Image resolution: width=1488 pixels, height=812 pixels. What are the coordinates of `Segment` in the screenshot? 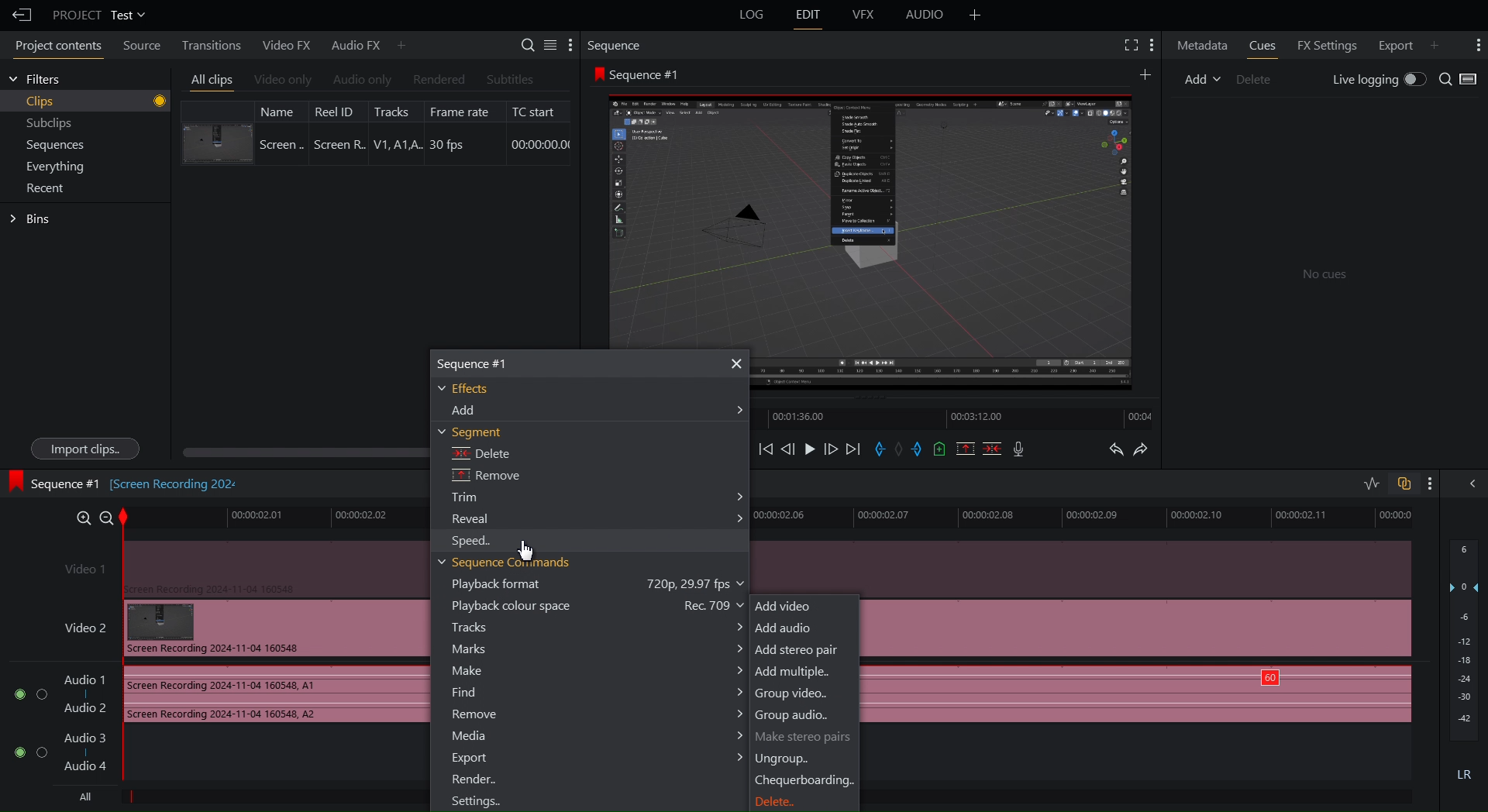 It's located at (474, 432).